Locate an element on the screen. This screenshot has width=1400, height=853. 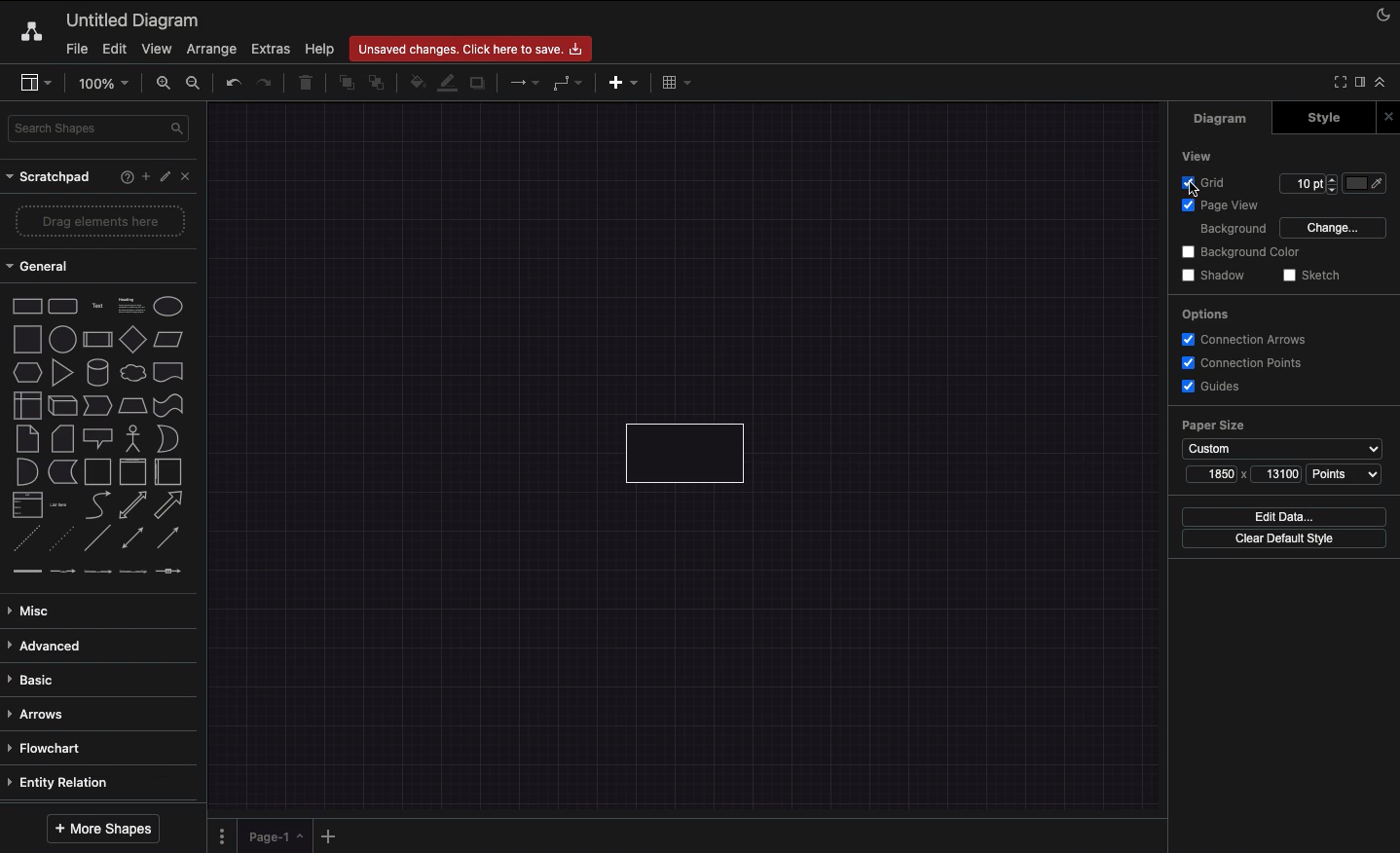
Line color is located at coordinates (447, 85).